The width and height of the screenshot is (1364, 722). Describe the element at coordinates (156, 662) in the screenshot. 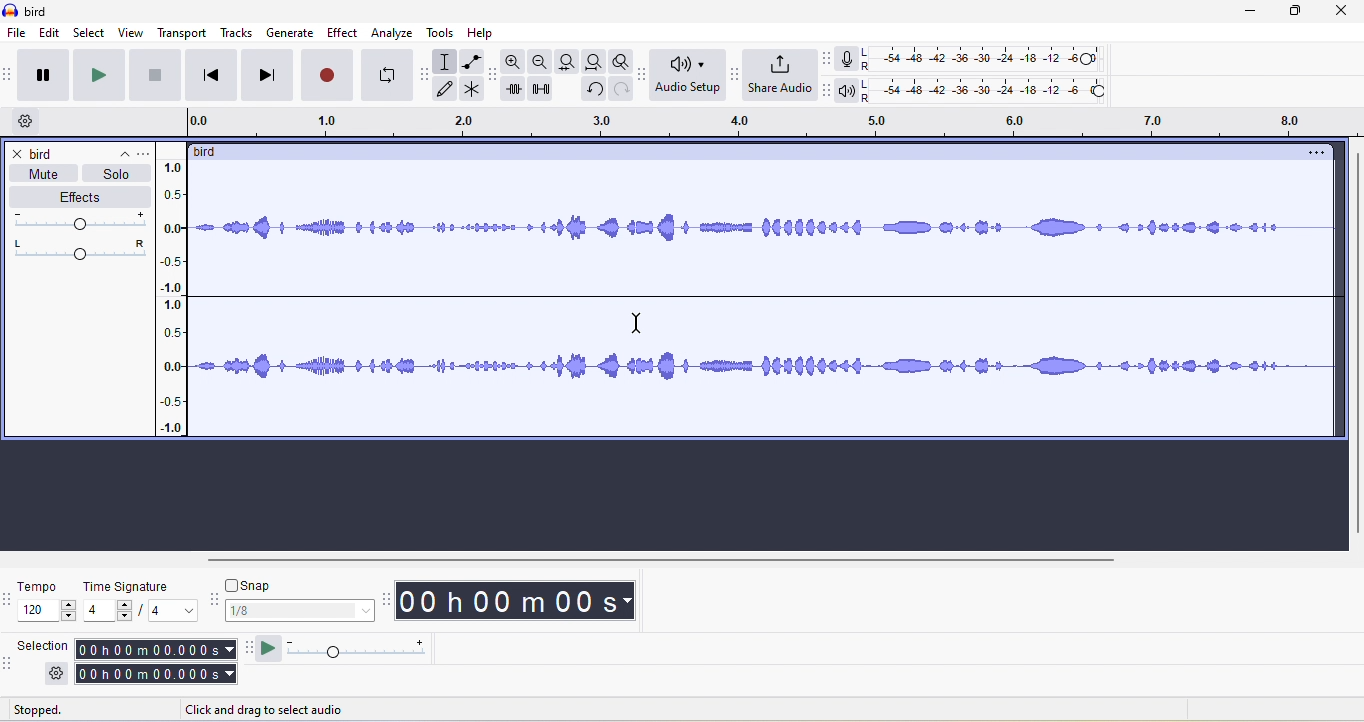

I see `selection` at that location.